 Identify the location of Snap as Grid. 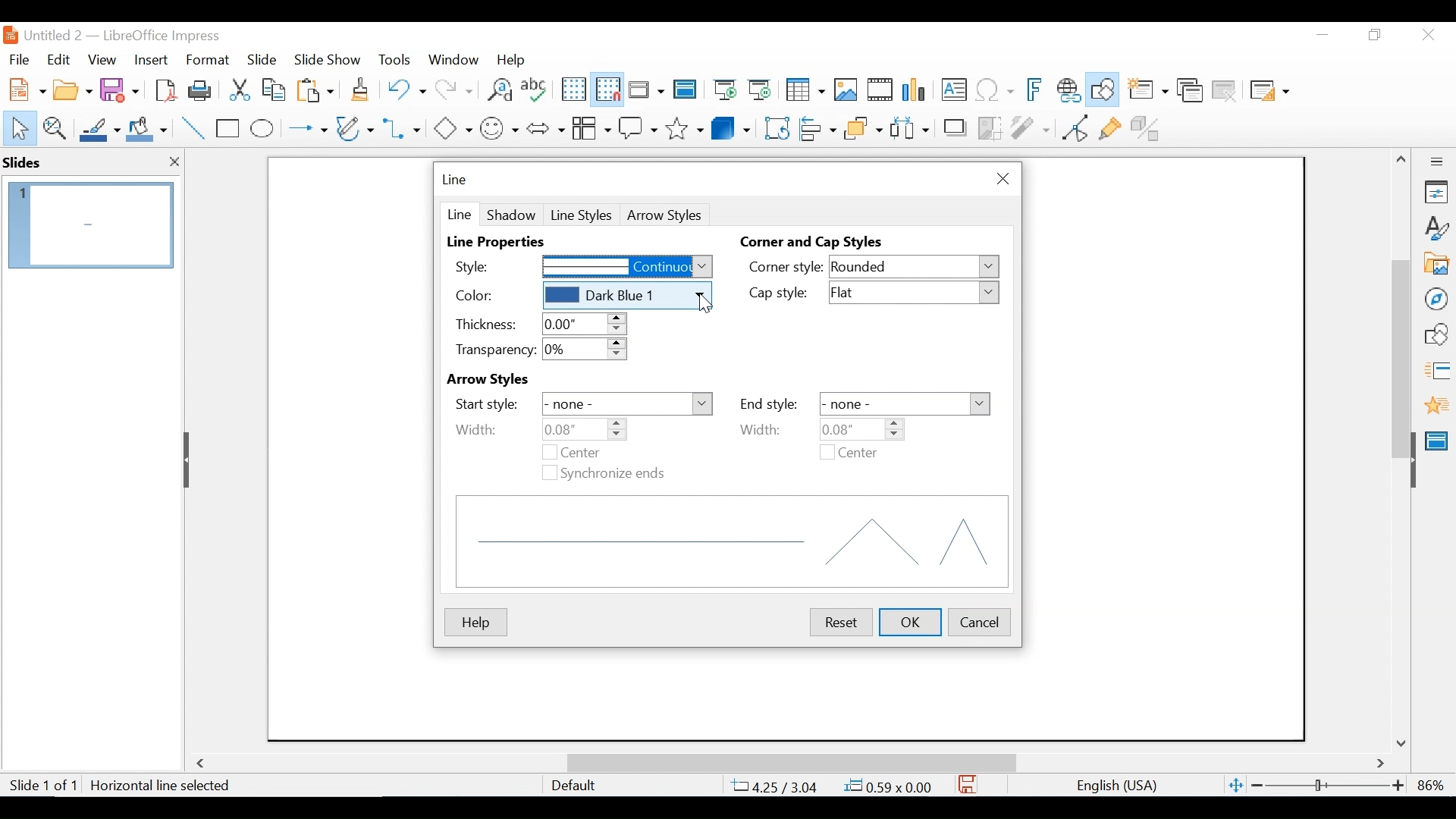
(607, 89).